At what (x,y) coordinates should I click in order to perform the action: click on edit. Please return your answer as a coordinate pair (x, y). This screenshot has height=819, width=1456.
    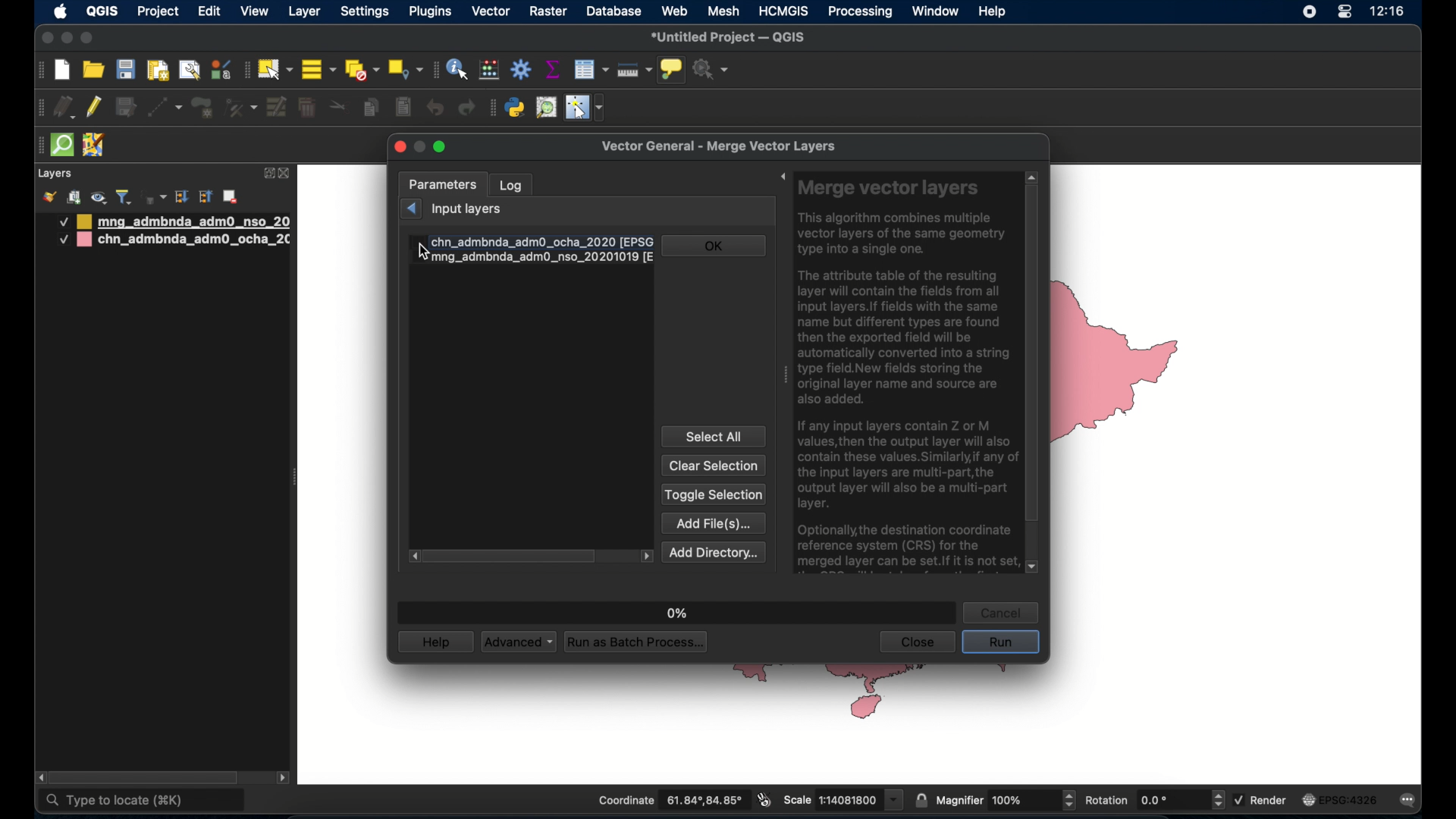
    Looking at the image, I should click on (209, 13).